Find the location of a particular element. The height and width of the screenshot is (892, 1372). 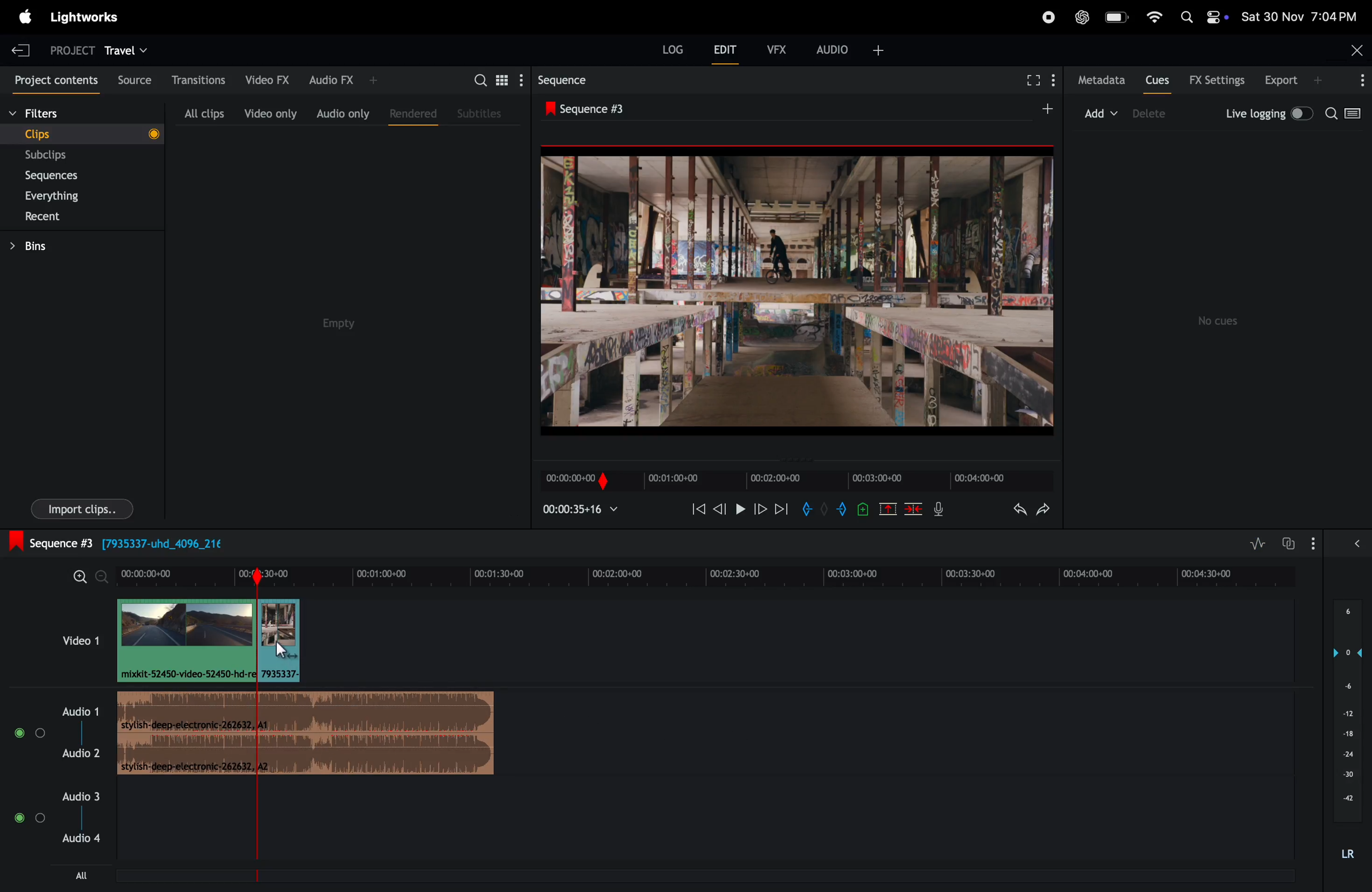

transitions is located at coordinates (194, 80).